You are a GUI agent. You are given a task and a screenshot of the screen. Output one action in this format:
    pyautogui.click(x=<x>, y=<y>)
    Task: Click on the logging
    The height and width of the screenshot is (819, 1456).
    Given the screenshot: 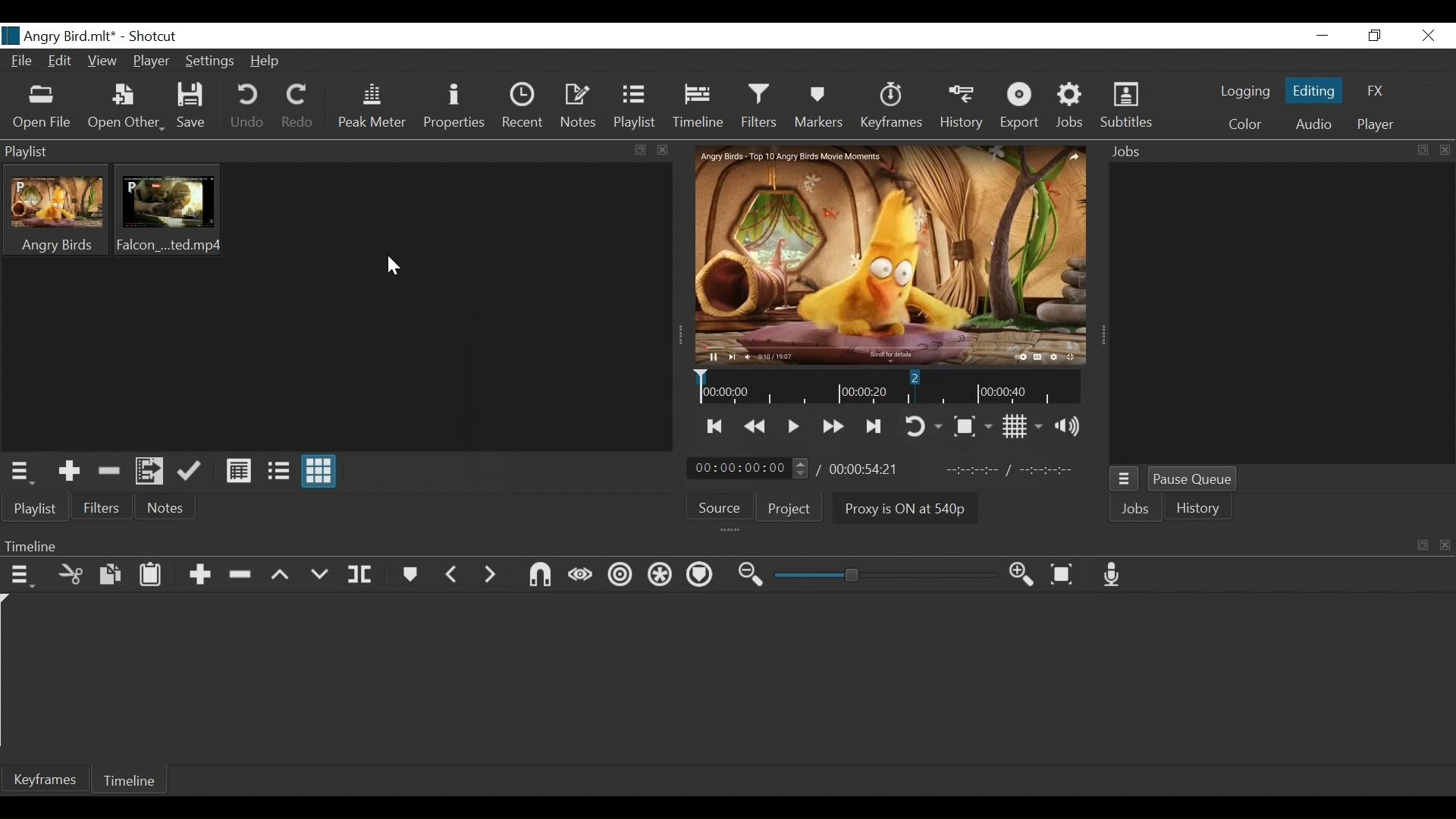 What is the action you would take?
    pyautogui.click(x=1244, y=92)
    